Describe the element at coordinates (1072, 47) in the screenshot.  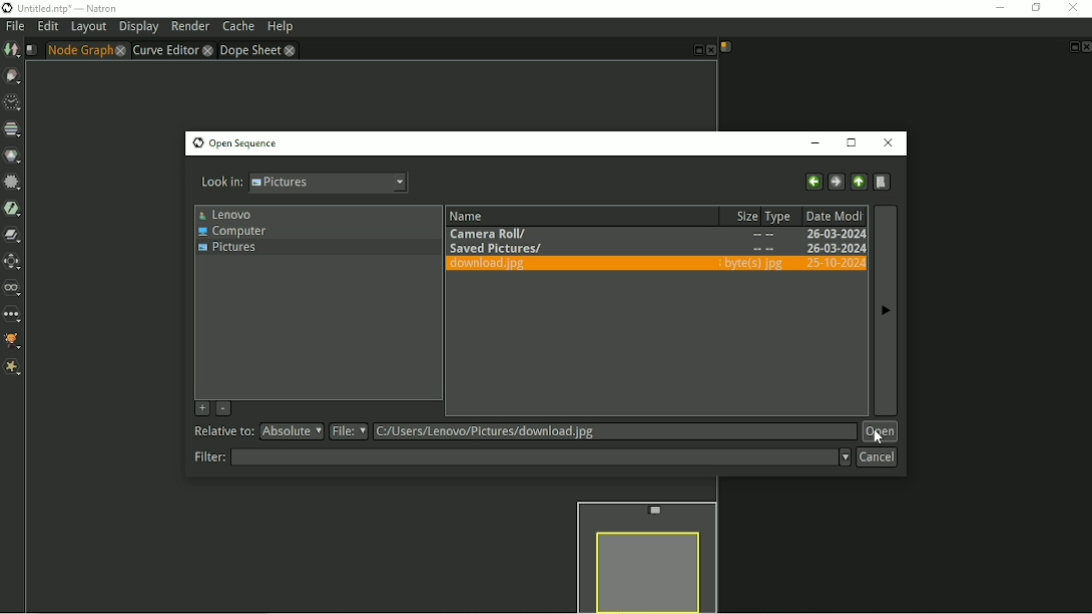
I see `Float pane` at that location.